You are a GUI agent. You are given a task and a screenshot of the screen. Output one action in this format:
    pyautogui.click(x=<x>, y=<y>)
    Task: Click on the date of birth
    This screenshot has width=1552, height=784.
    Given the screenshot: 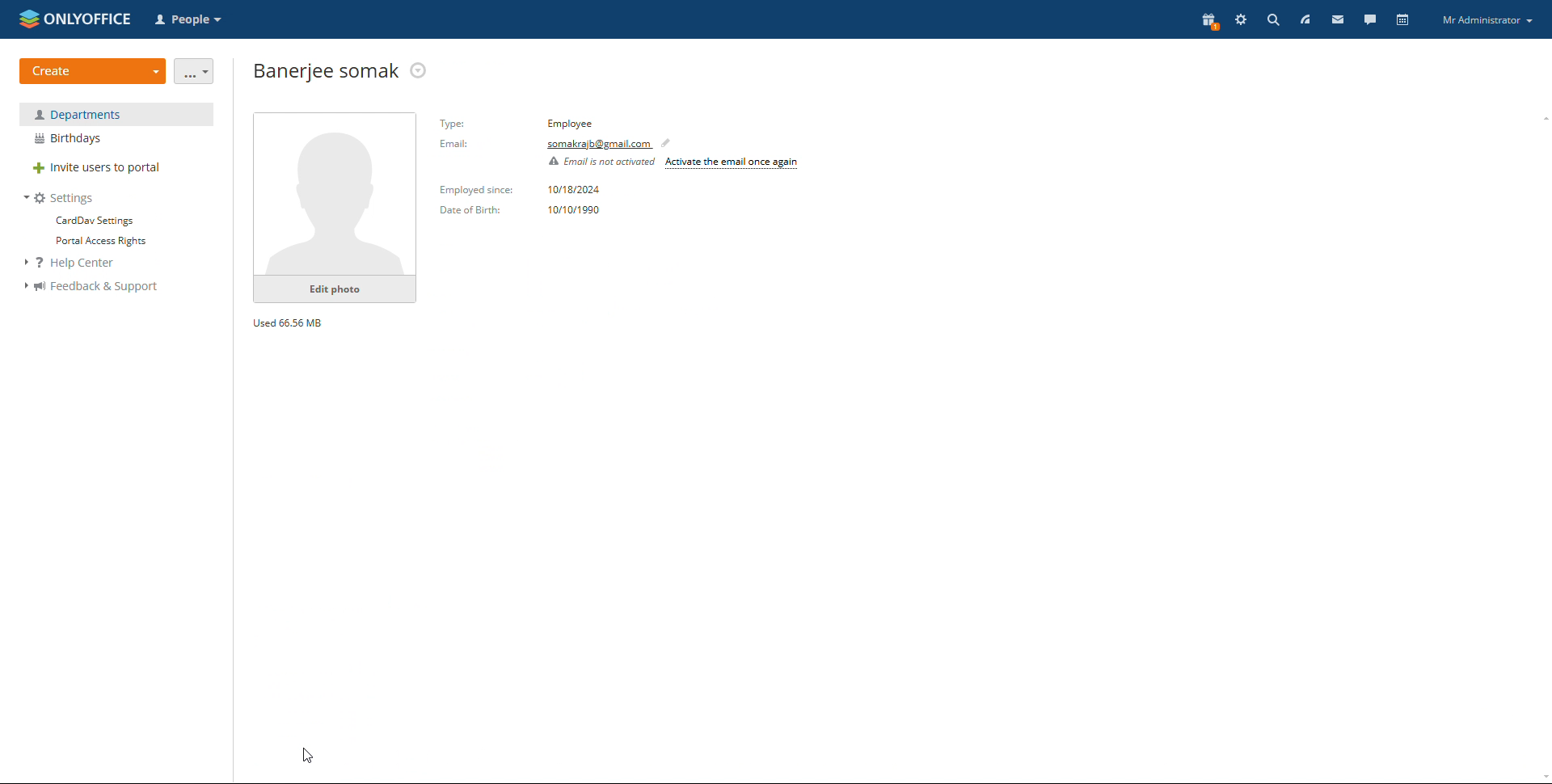 What is the action you would take?
    pyautogui.click(x=472, y=211)
    